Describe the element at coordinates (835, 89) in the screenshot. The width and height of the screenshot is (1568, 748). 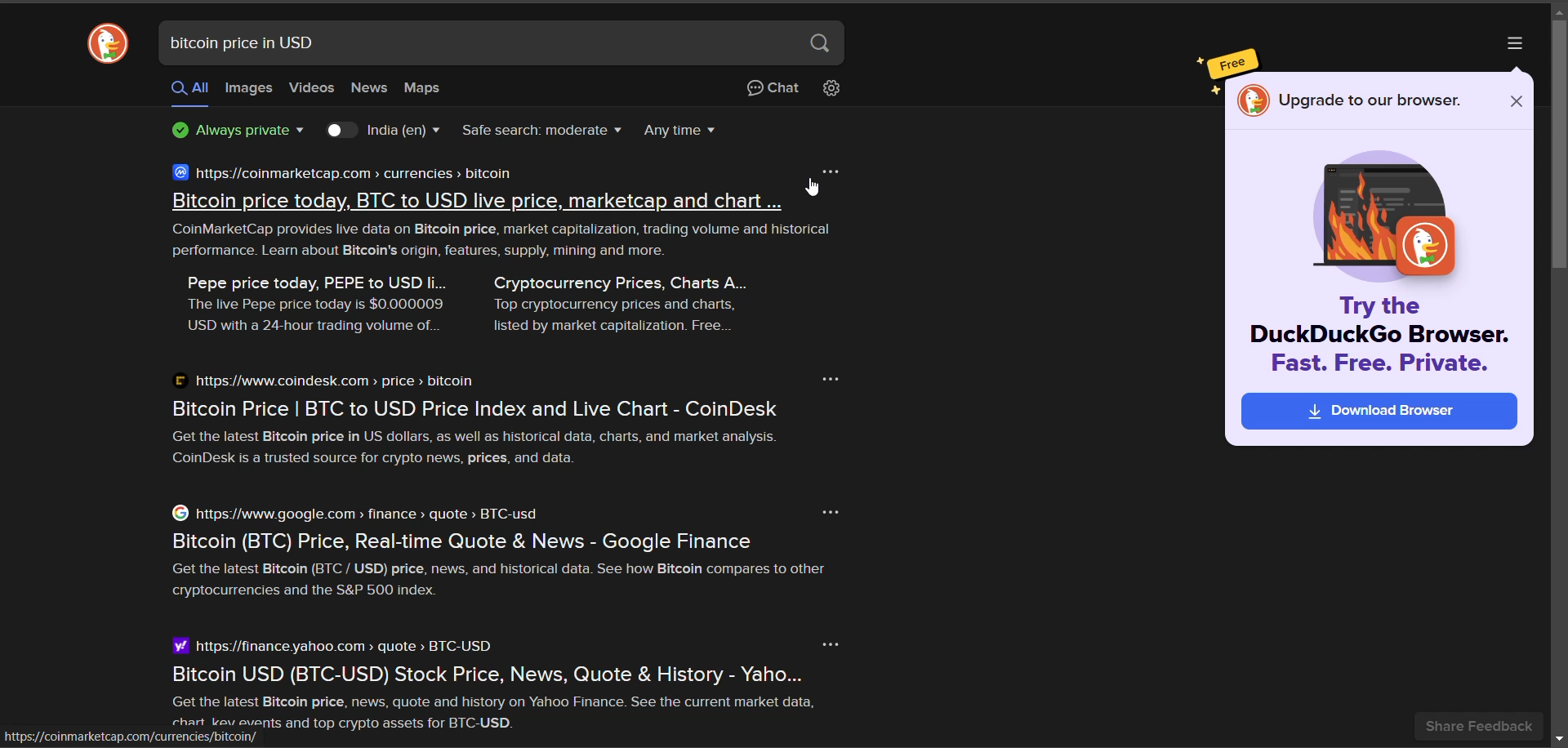
I see `change search settings` at that location.